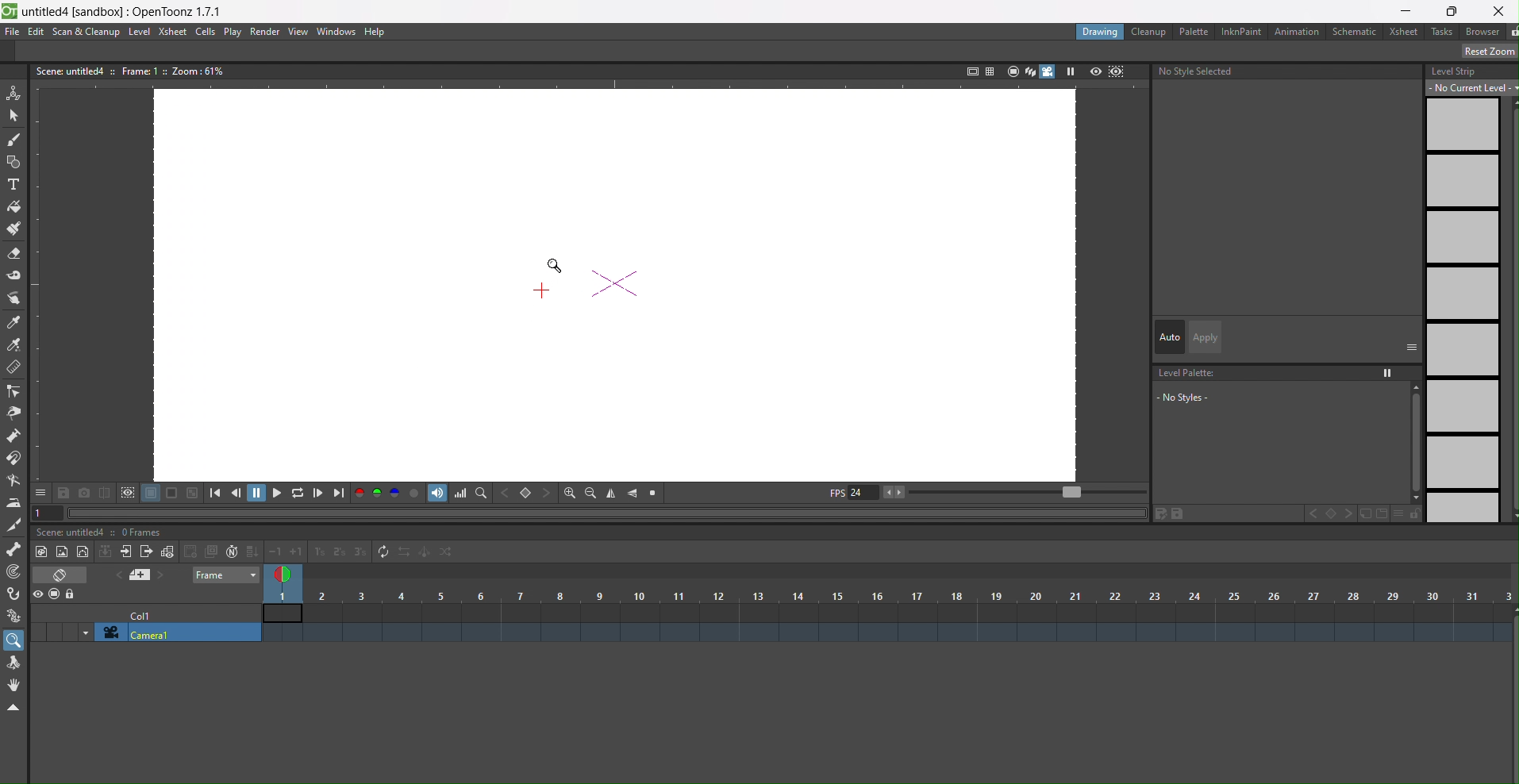  I want to click on tasks, so click(1444, 33).